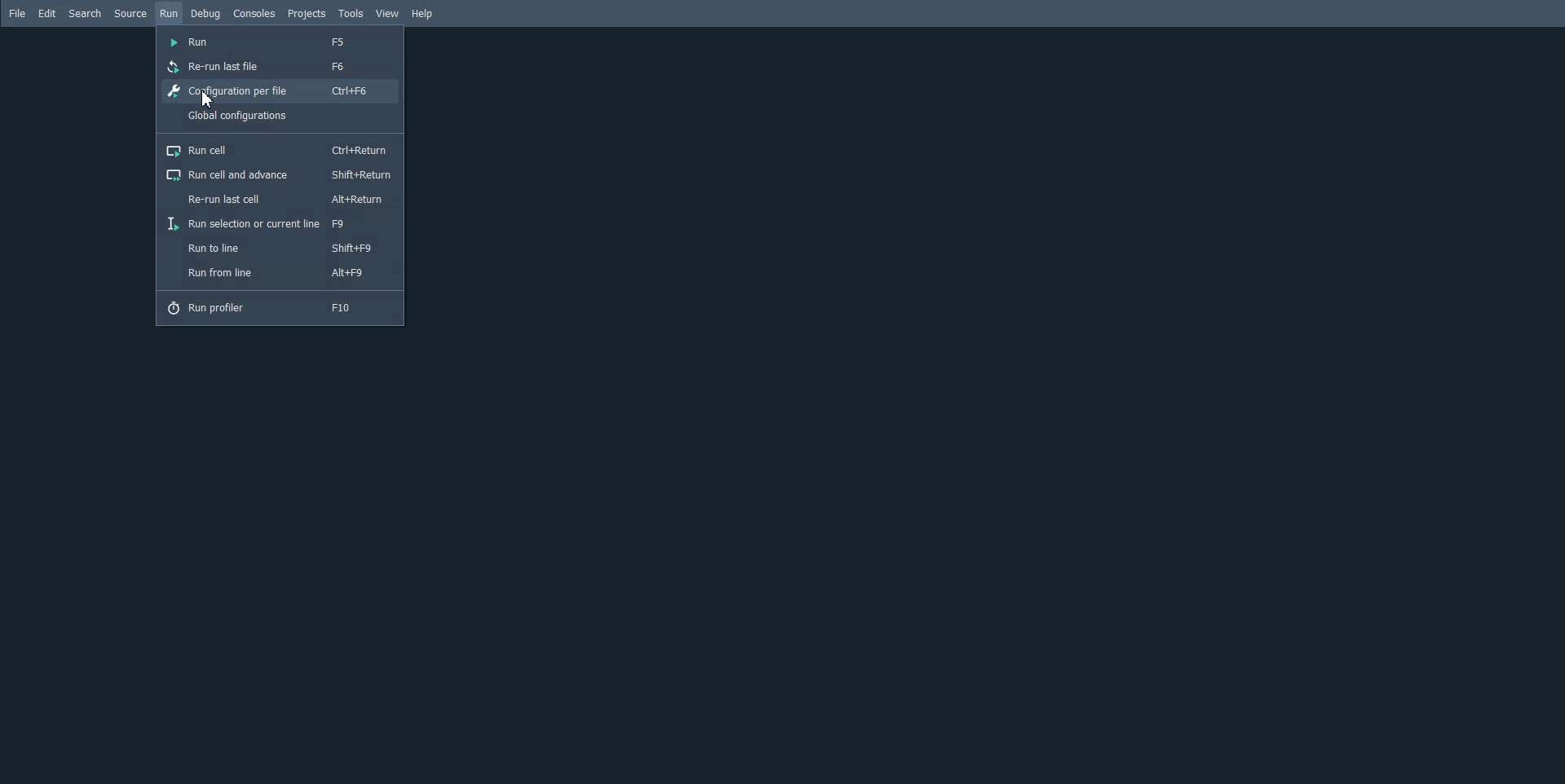 This screenshot has height=784, width=1565. What do you see at coordinates (280, 272) in the screenshot?
I see `Run from line` at bounding box center [280, 272].